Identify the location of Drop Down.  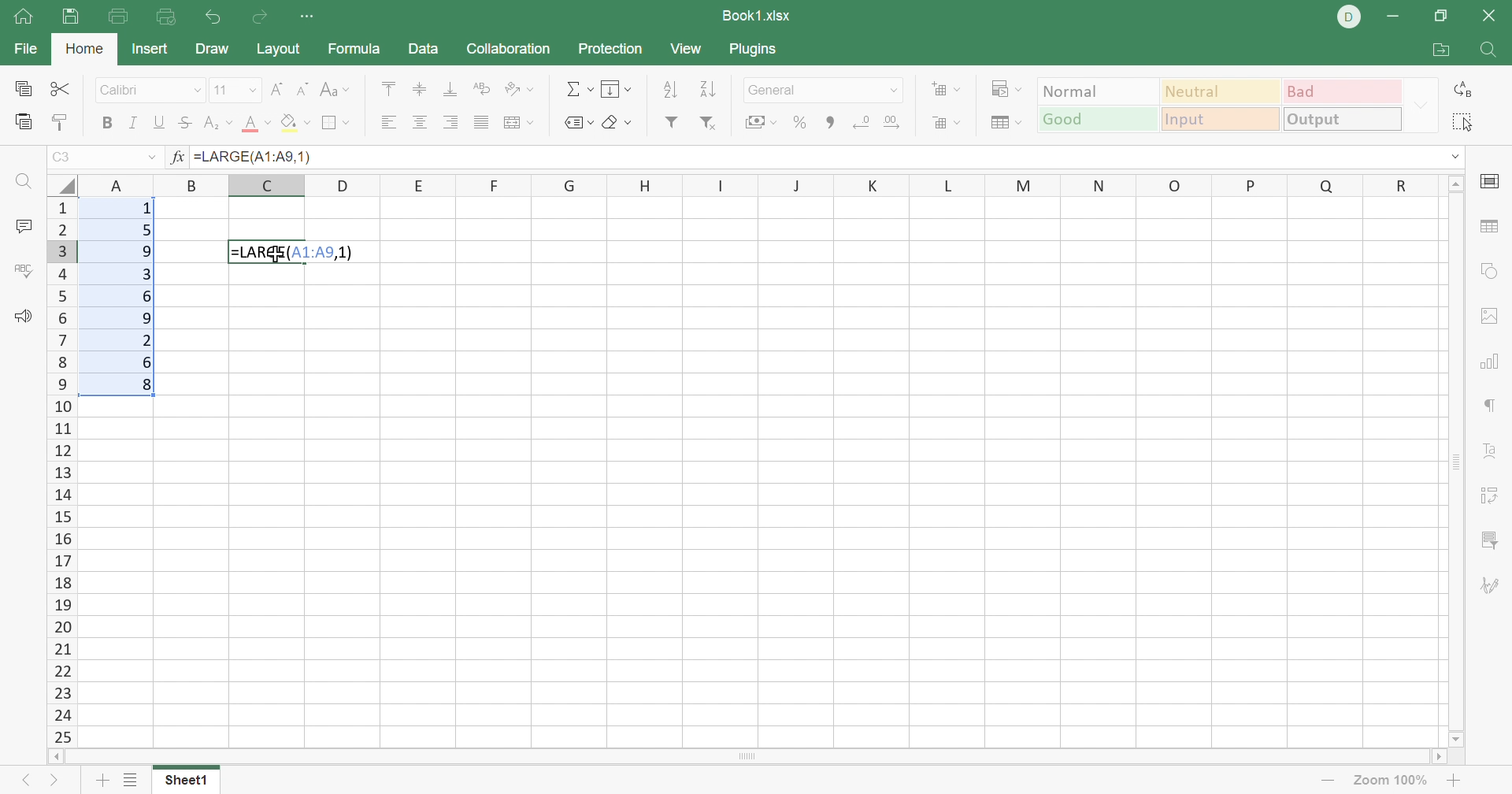
(1423, 104).